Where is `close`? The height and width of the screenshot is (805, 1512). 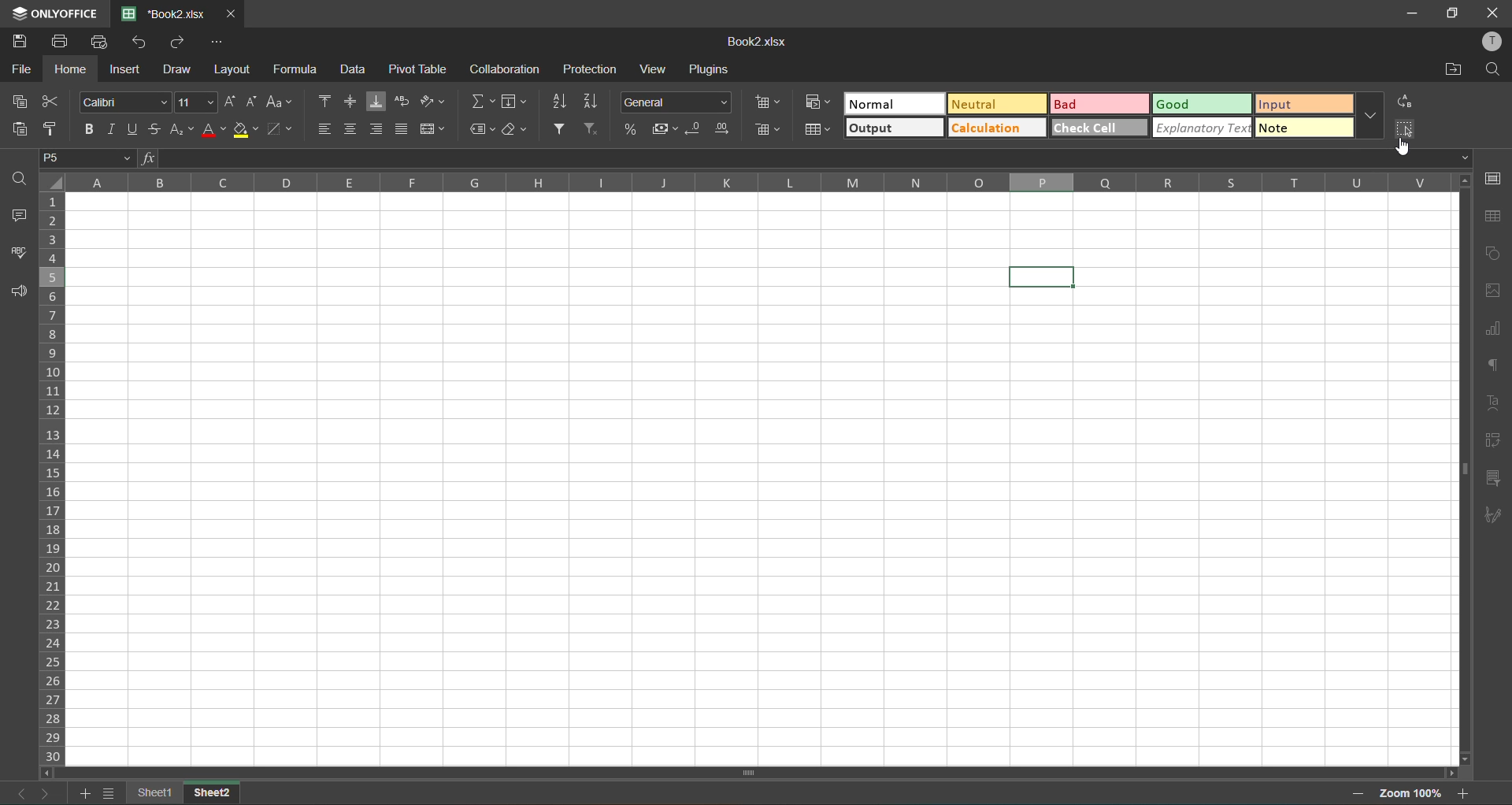
close is located at coordinates (235, 13).